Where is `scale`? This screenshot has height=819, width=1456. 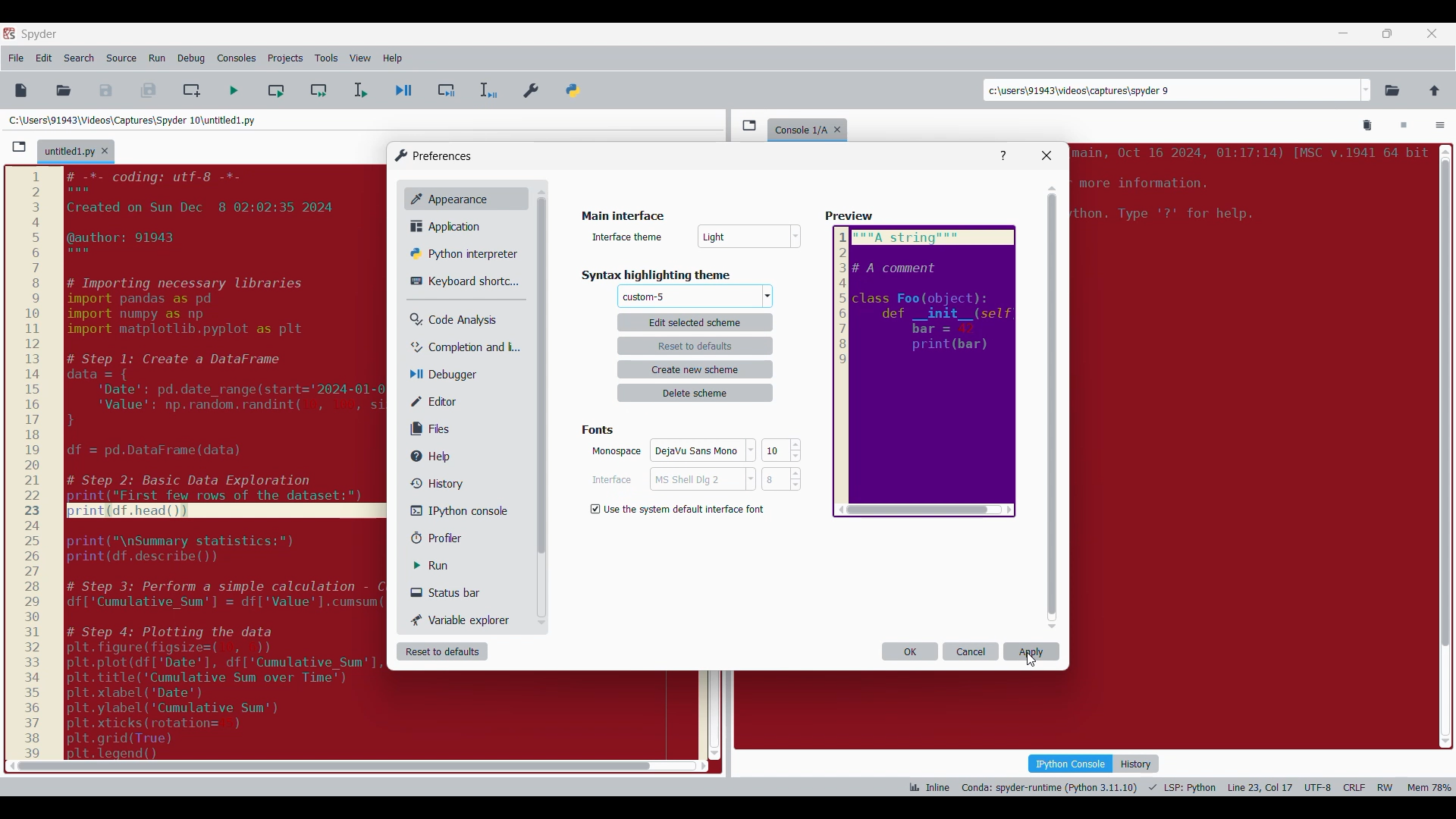 scale is located at coordinates (32, 463).